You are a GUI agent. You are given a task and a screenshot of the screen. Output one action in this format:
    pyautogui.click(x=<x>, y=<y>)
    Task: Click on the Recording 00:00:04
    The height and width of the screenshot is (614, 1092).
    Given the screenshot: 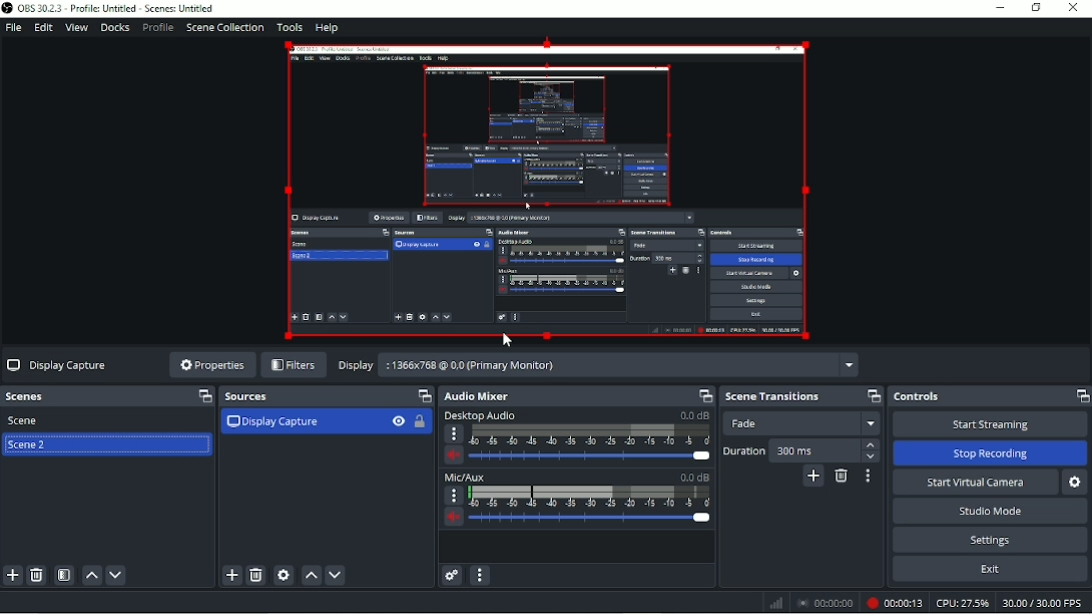 What is the action you would take?
    pyautogui.click(x=894, y=604)
    